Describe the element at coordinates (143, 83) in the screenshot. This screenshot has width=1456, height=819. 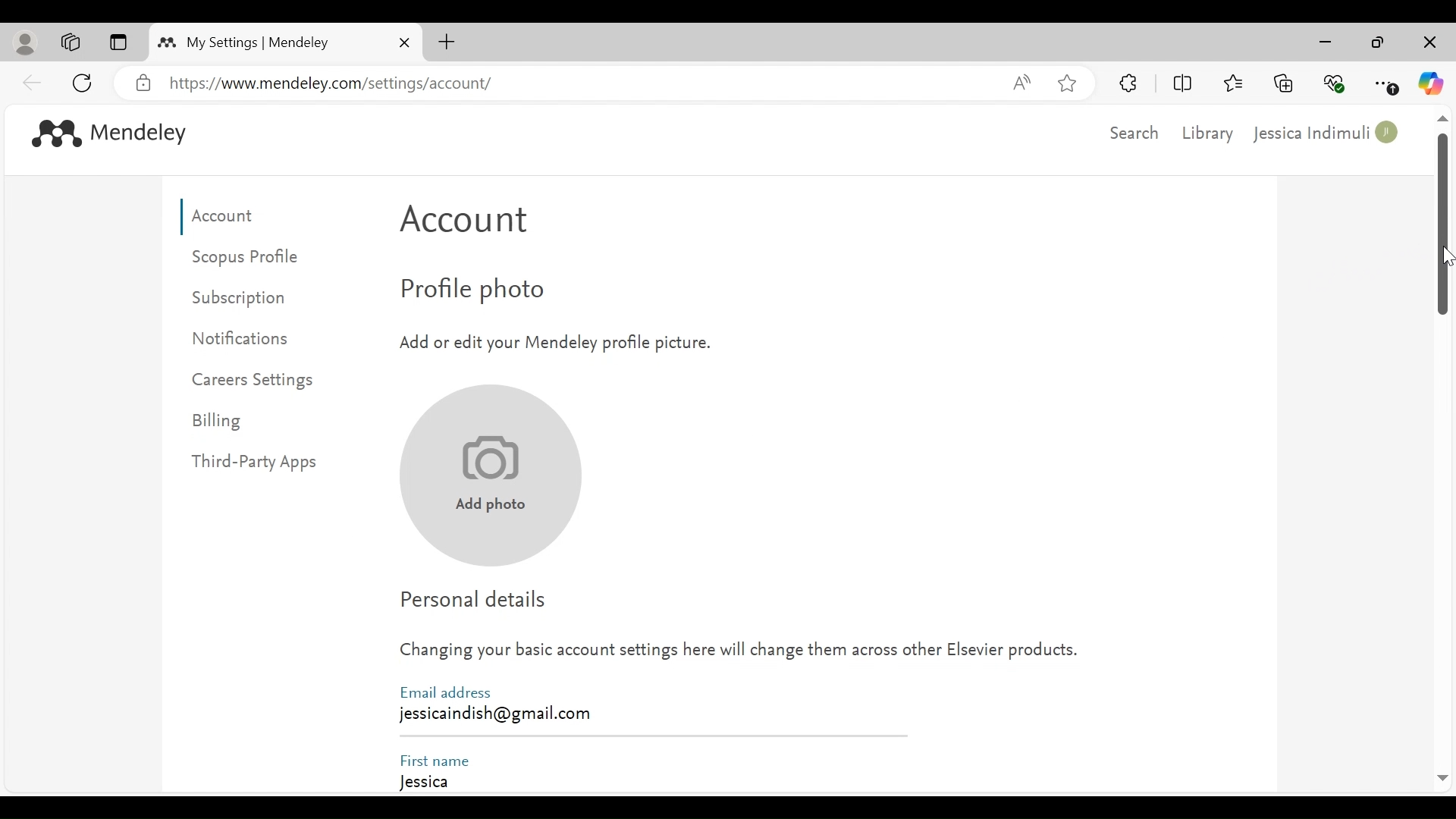
I see `verified` at that location.